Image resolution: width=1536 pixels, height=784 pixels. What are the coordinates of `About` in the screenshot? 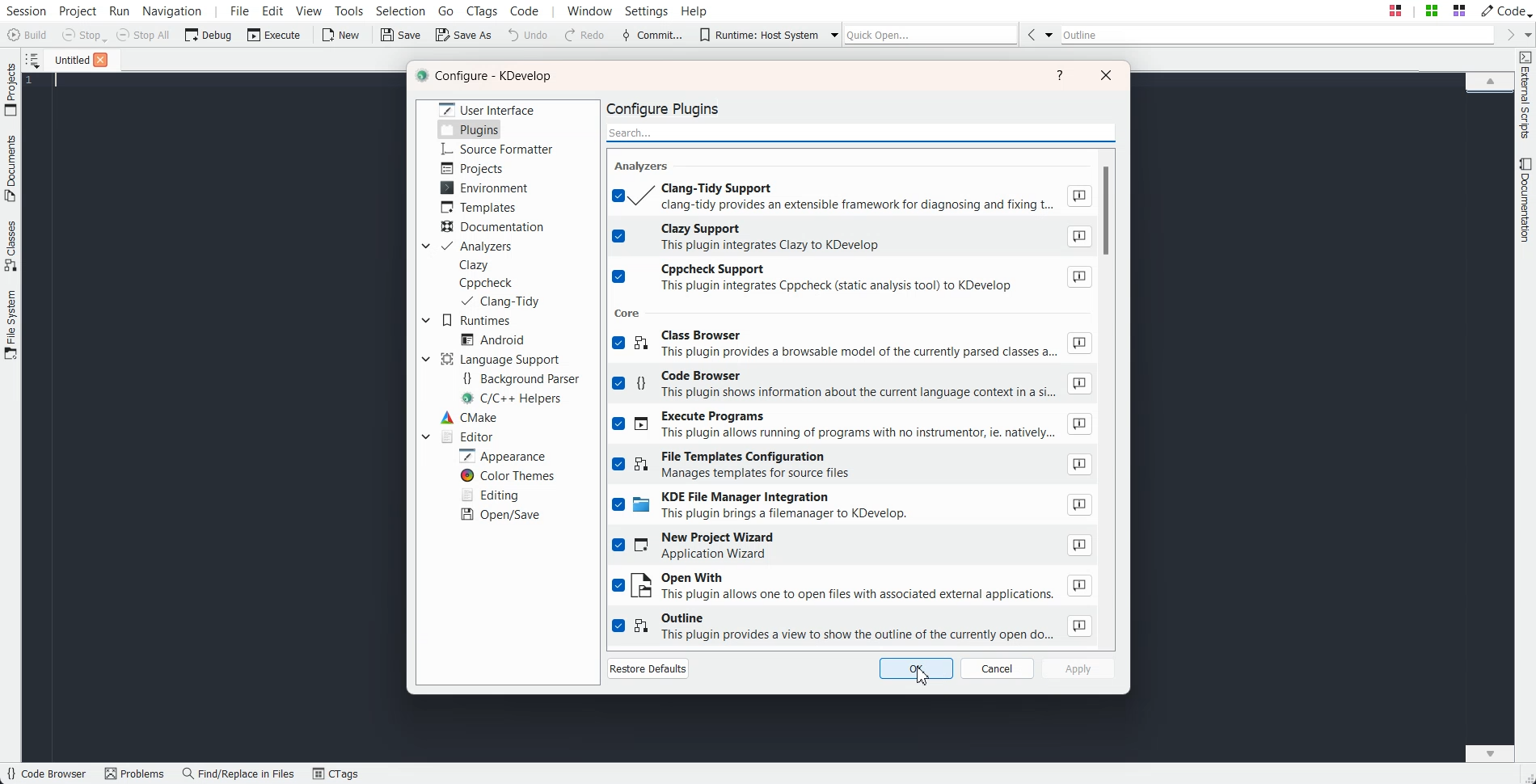 It's located at (1079, 344).